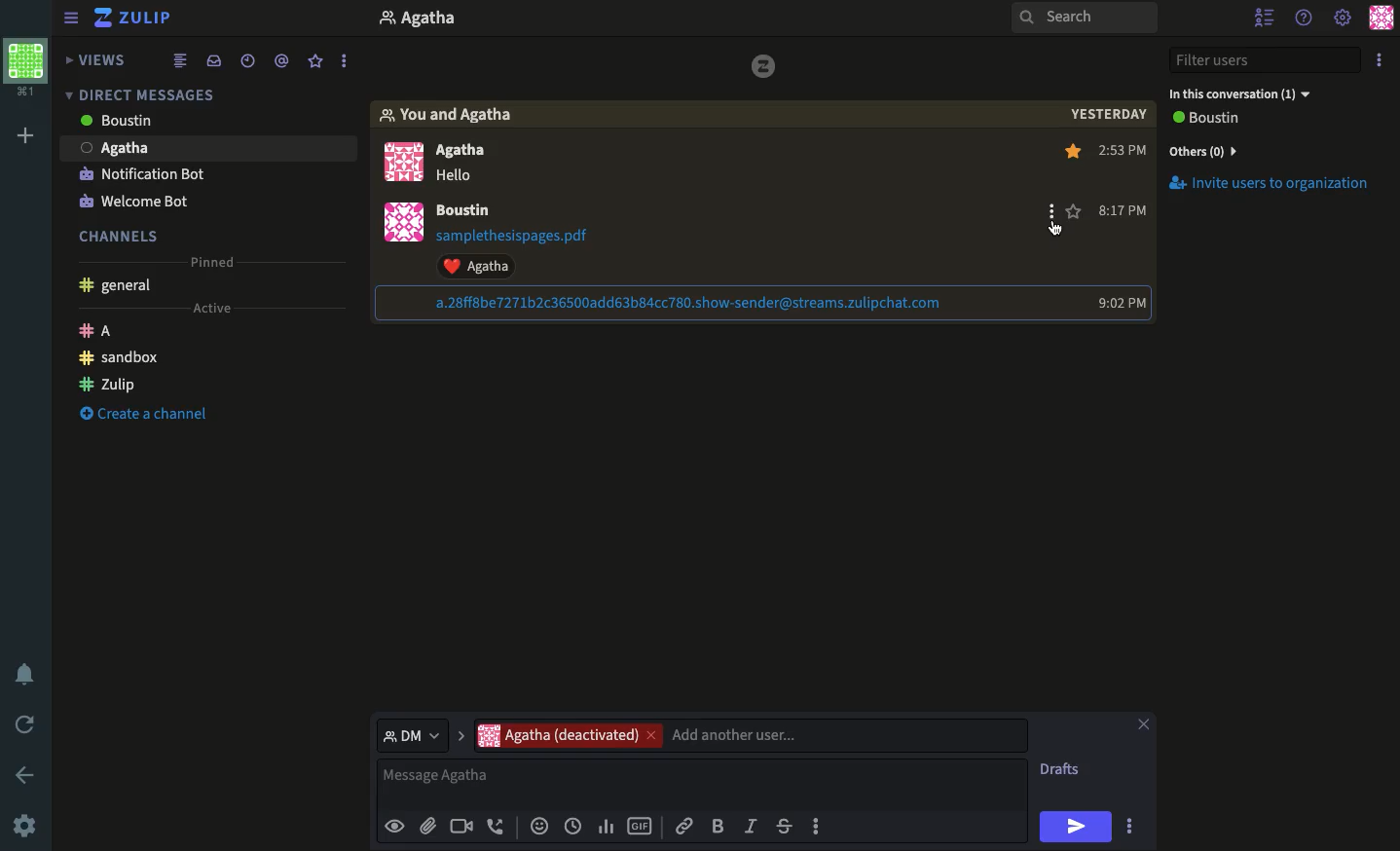  Describe the element at coordinates (99, 61) in the screenshot. I see `Views` at that location.